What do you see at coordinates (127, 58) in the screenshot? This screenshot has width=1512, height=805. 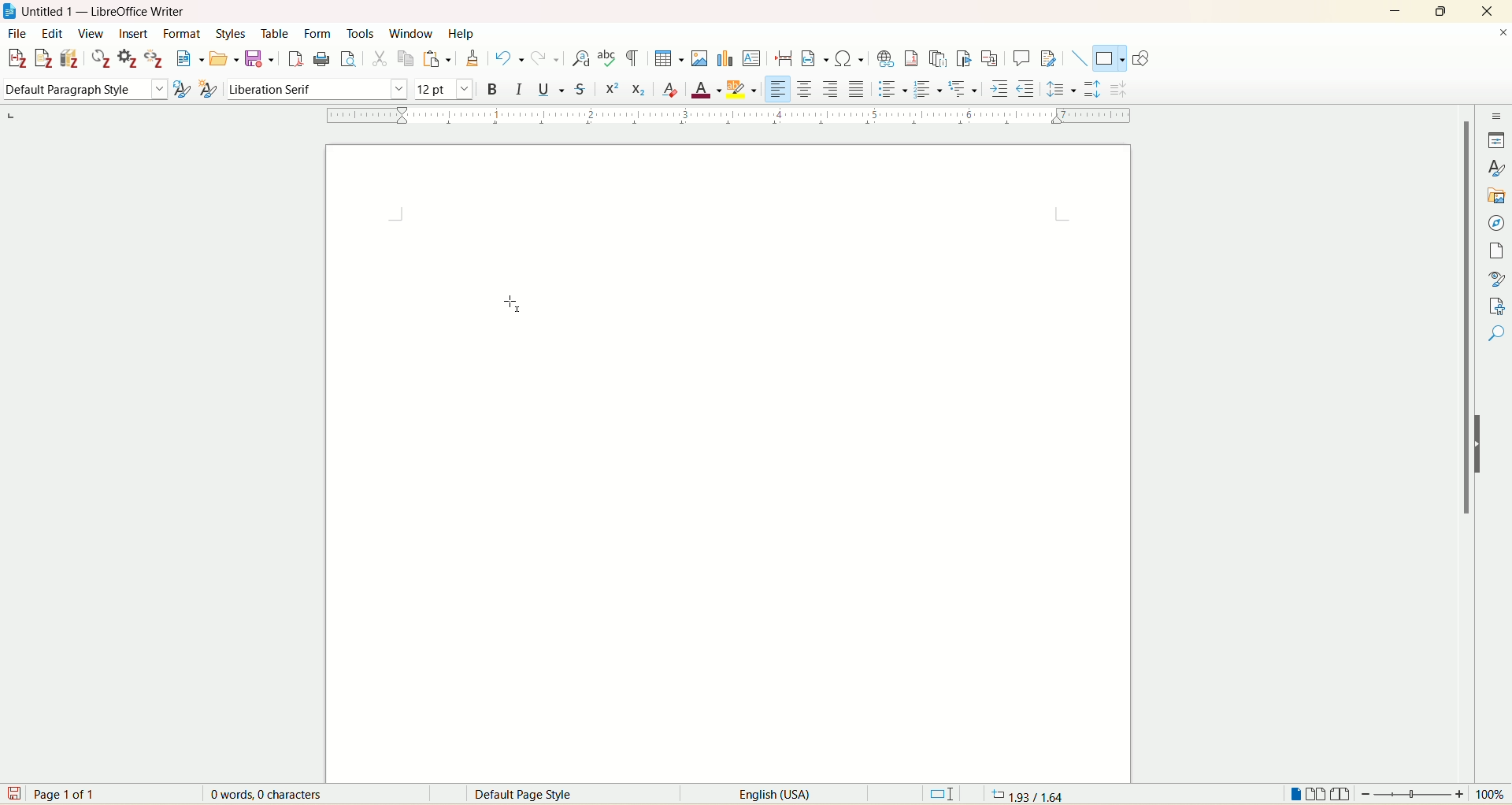 I see `document preferences` at bounding box center [127, 58].